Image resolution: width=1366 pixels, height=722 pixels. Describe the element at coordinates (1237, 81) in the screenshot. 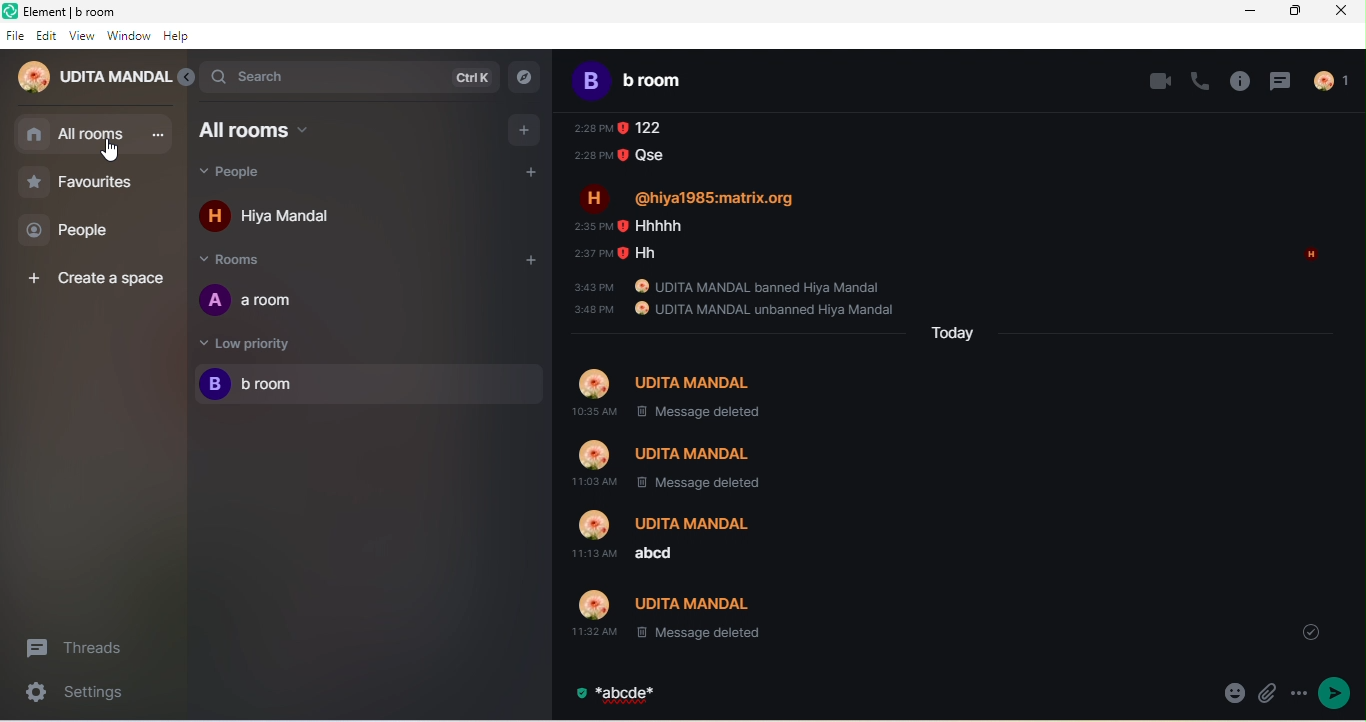

I see `info` at that location.